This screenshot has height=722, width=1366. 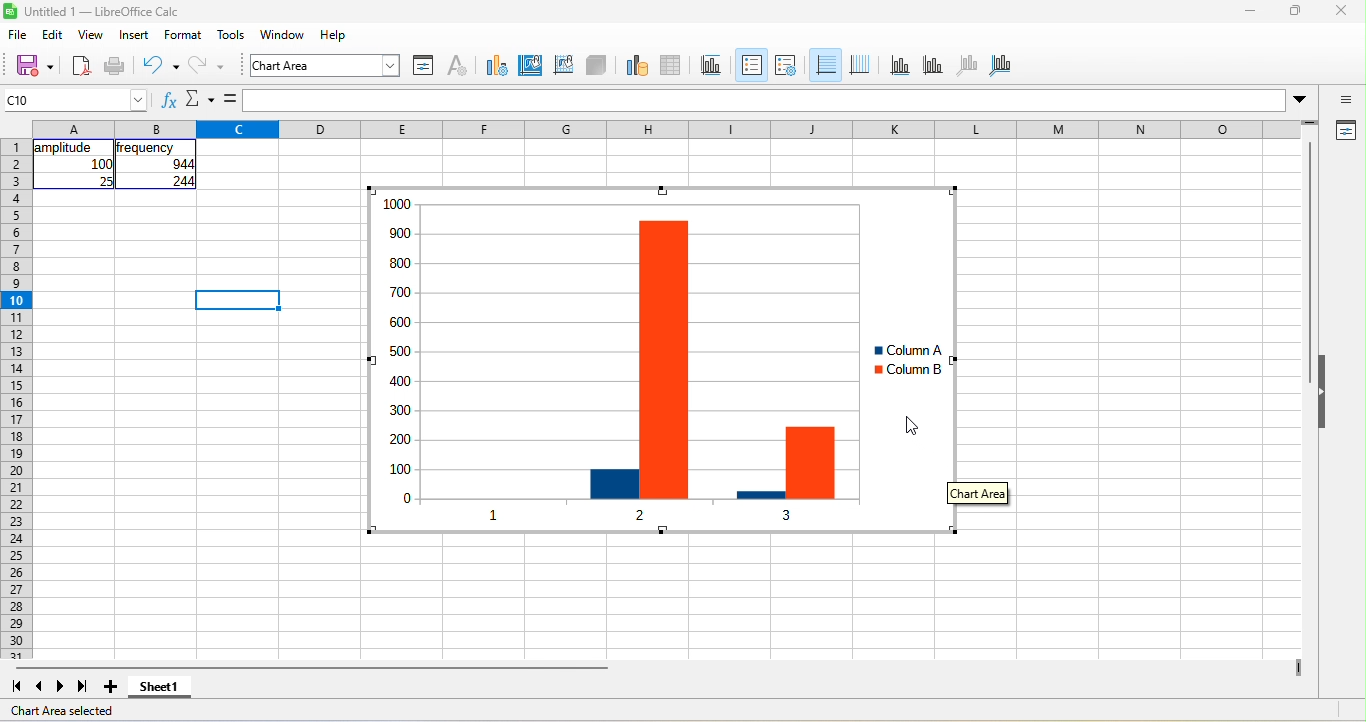 I want to click on tools, so click(x=231, y=34).